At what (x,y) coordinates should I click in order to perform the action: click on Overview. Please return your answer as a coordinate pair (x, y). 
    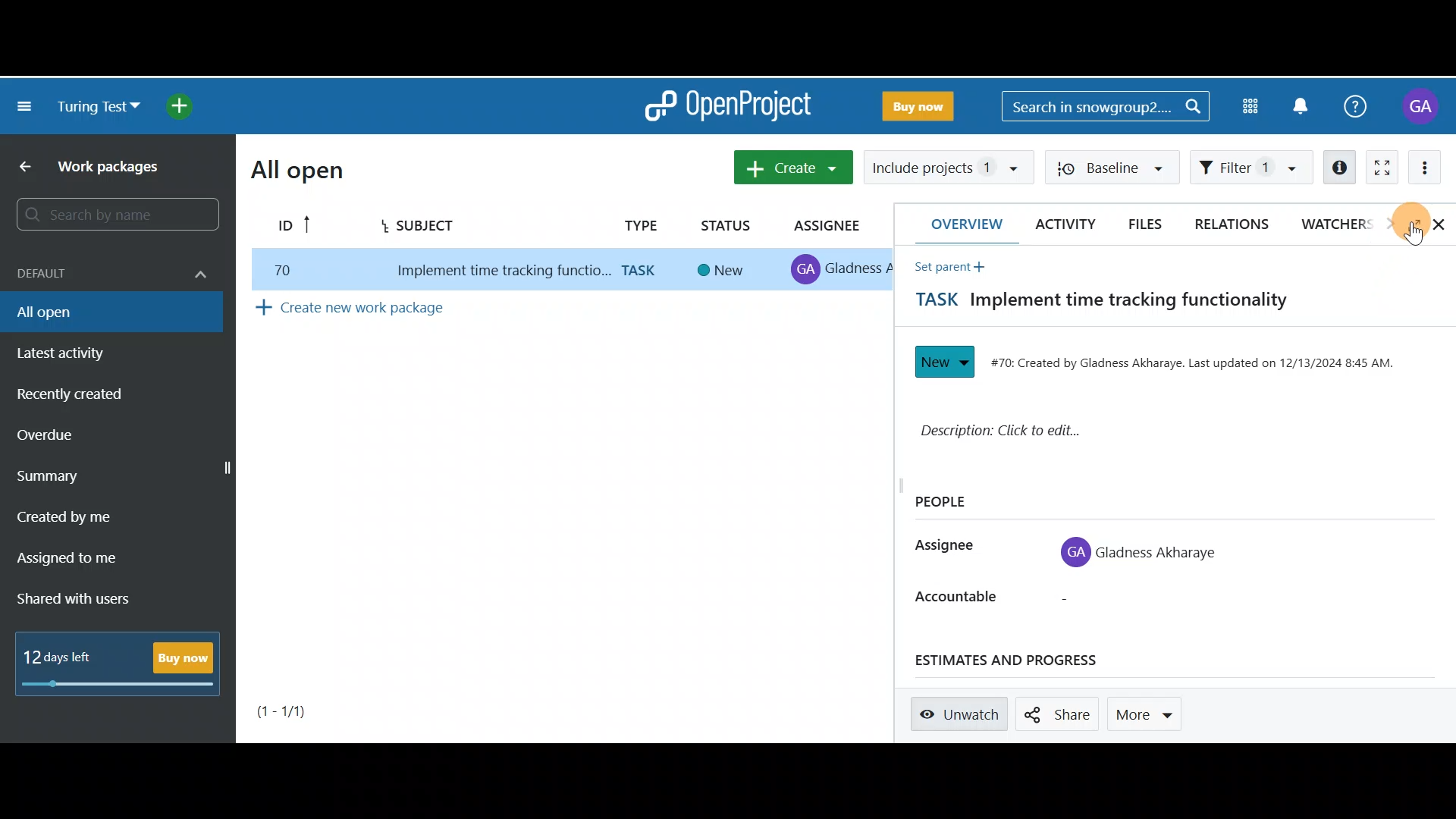
    Looking at the image, I should click on (966, 224).